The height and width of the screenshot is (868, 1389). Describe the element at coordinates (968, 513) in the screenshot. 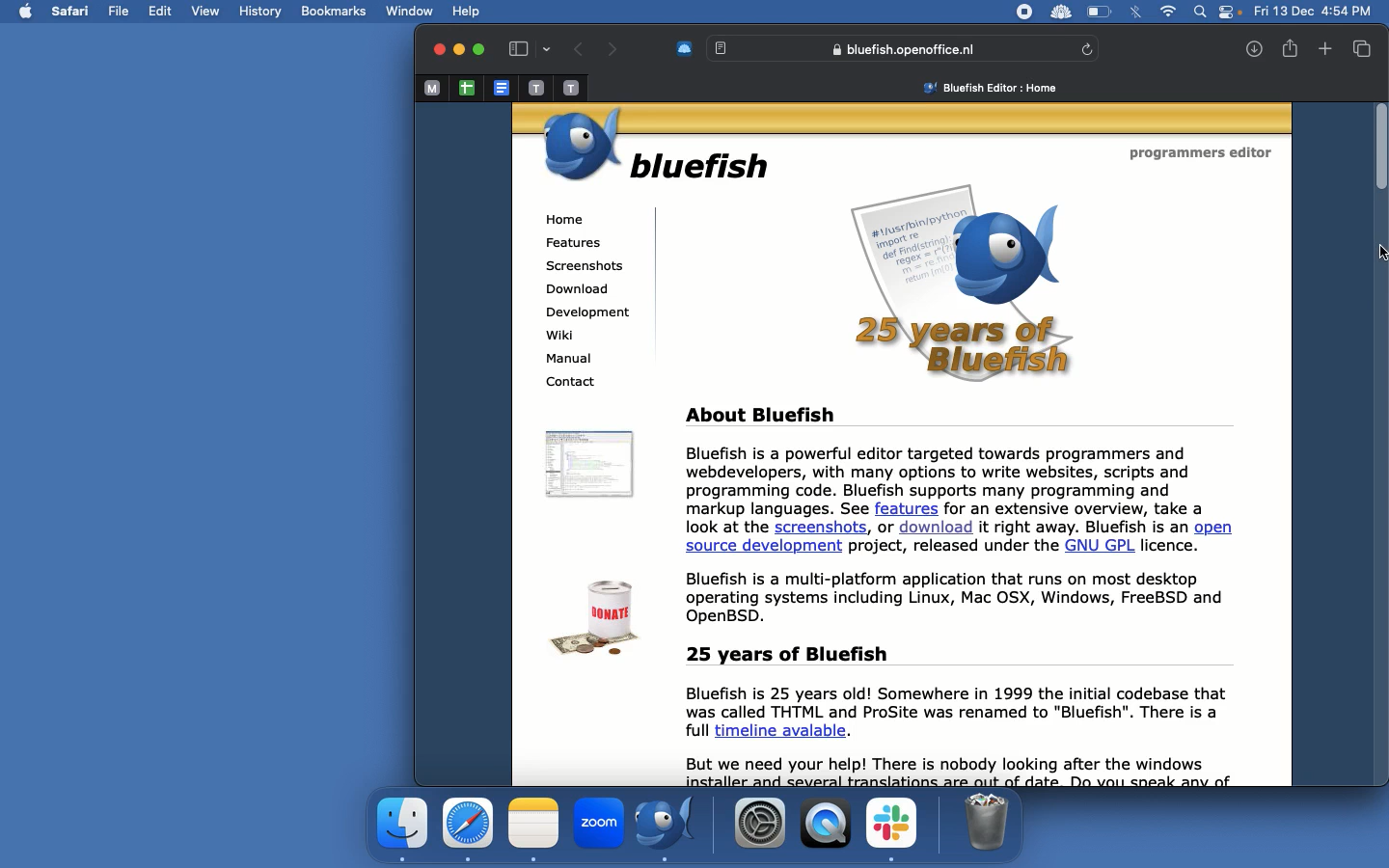

I see `About Bluefish

Bluefish is a powerful editor targeted towards programmers and
webdevelopers, with many options to write websites, scripts and
programming code. Bluefish supports many programming and
markup languages. See features for an extensive overview, take a
look at the screenshots, or download it right away. Bluefish is an open
source development project, released under the GNU GPL licence.
Bluefish is a multi-platform application that runs on most desktop
operating systems including Linux, Mac OSX, Windows, FreeBSD and
OpenBSD.` at that location.